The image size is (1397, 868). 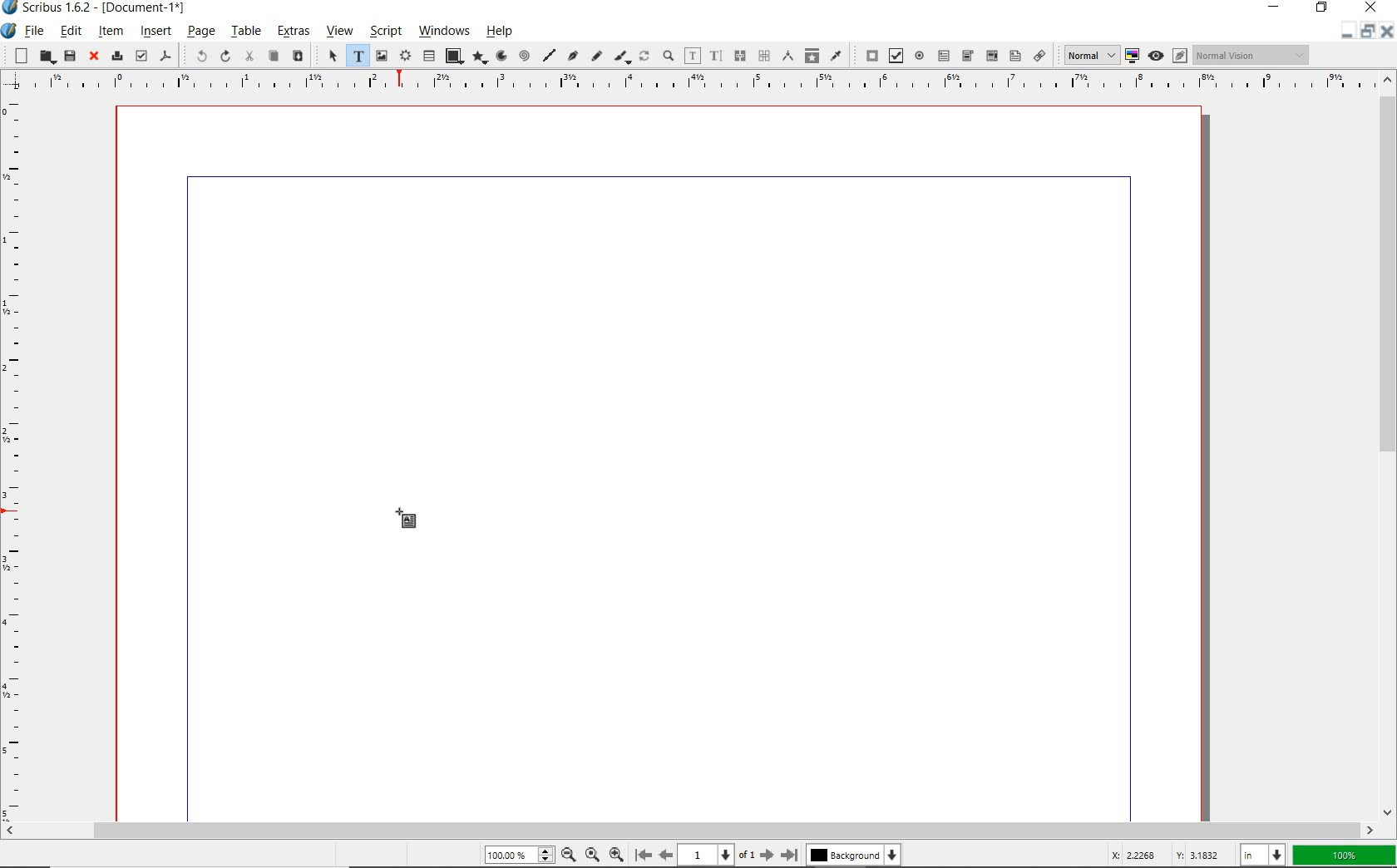 I want to click on save as pdf, so click(x=166, y=57).